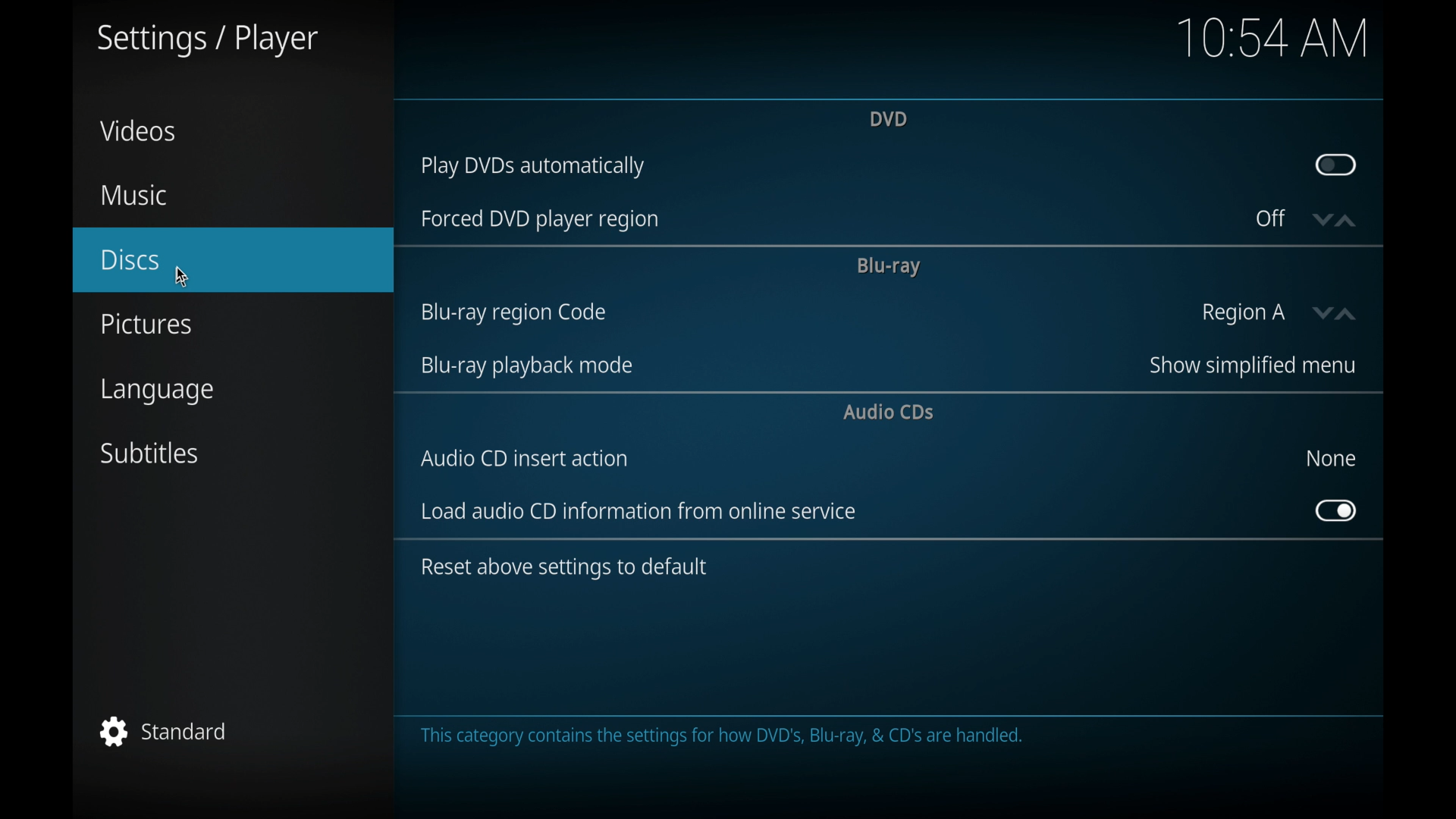  Describe the element at coordinates (1244, 314) in the screenshot. I see `region a` at that location.